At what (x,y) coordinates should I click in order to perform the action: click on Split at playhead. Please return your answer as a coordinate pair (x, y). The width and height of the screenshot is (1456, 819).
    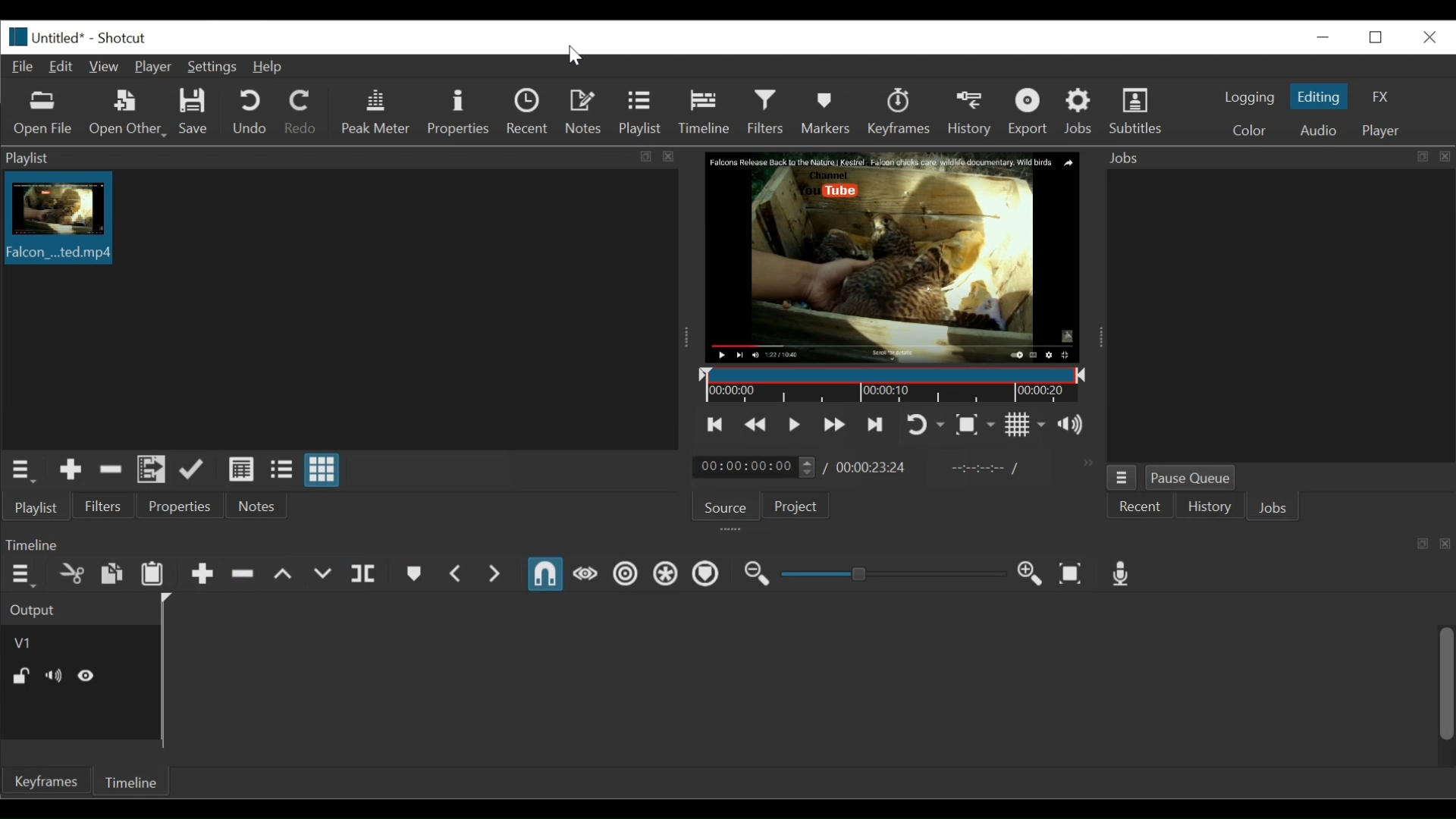
    Looking at the image, I should click on (366, 576).